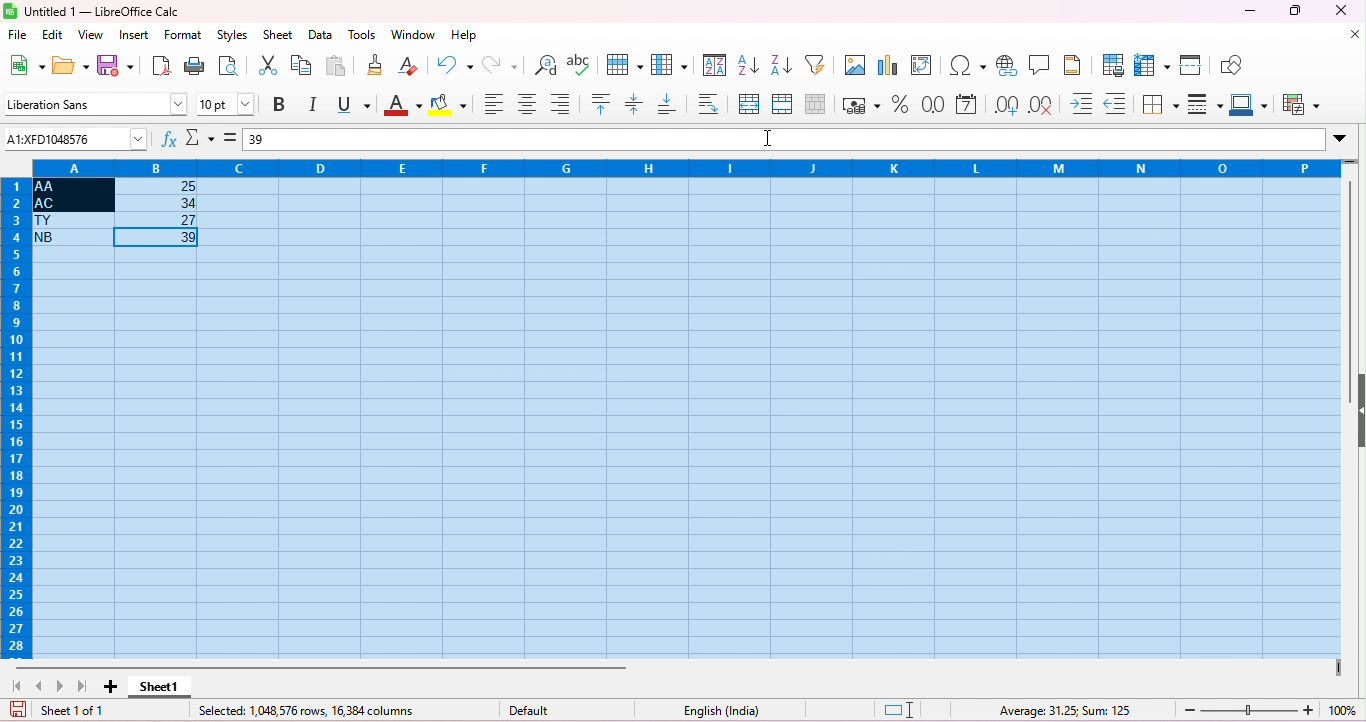  I want to click on underline, so click(353, 105).